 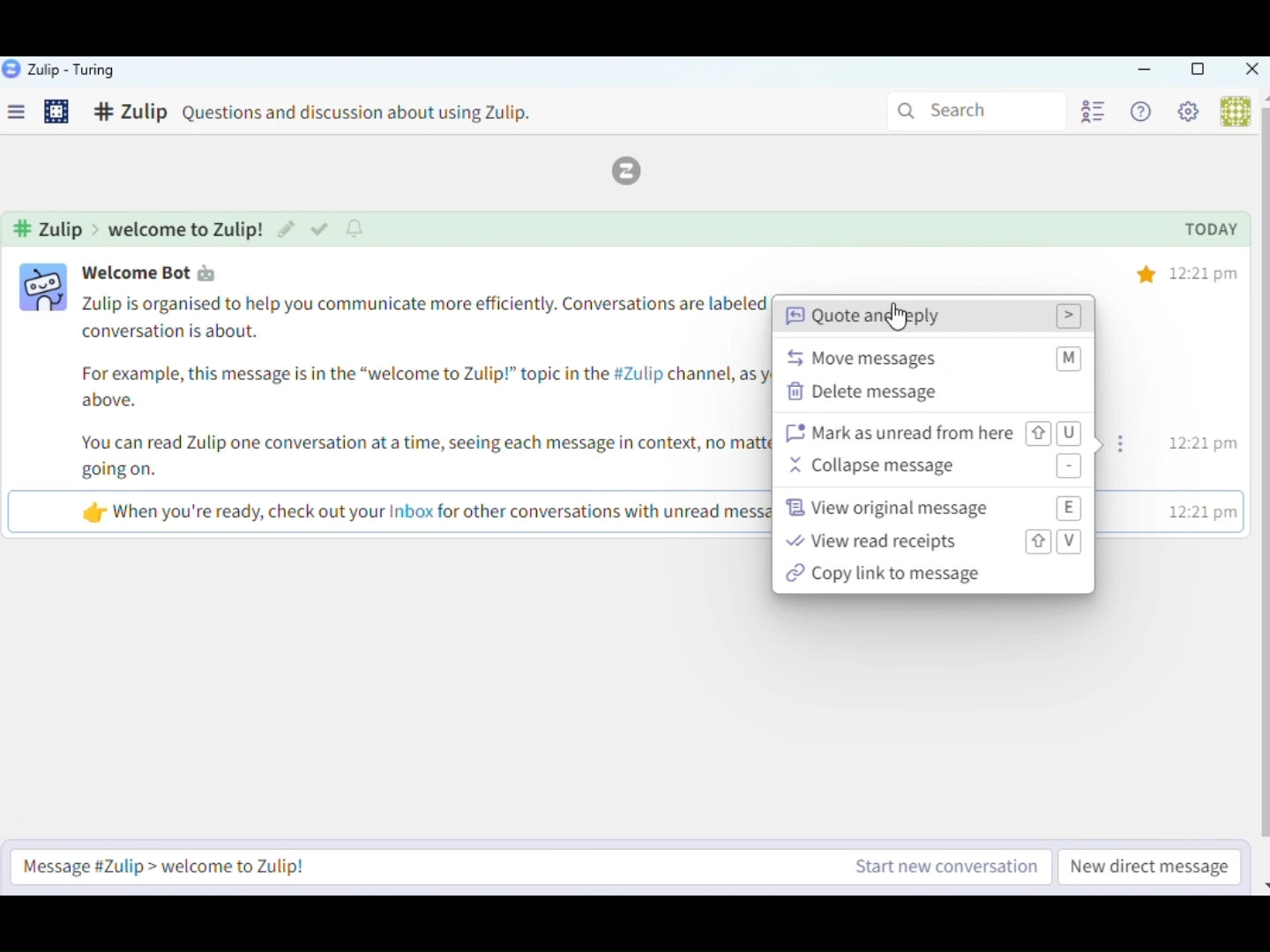 I want to click on Minimize, so click(x=1145, y=71).